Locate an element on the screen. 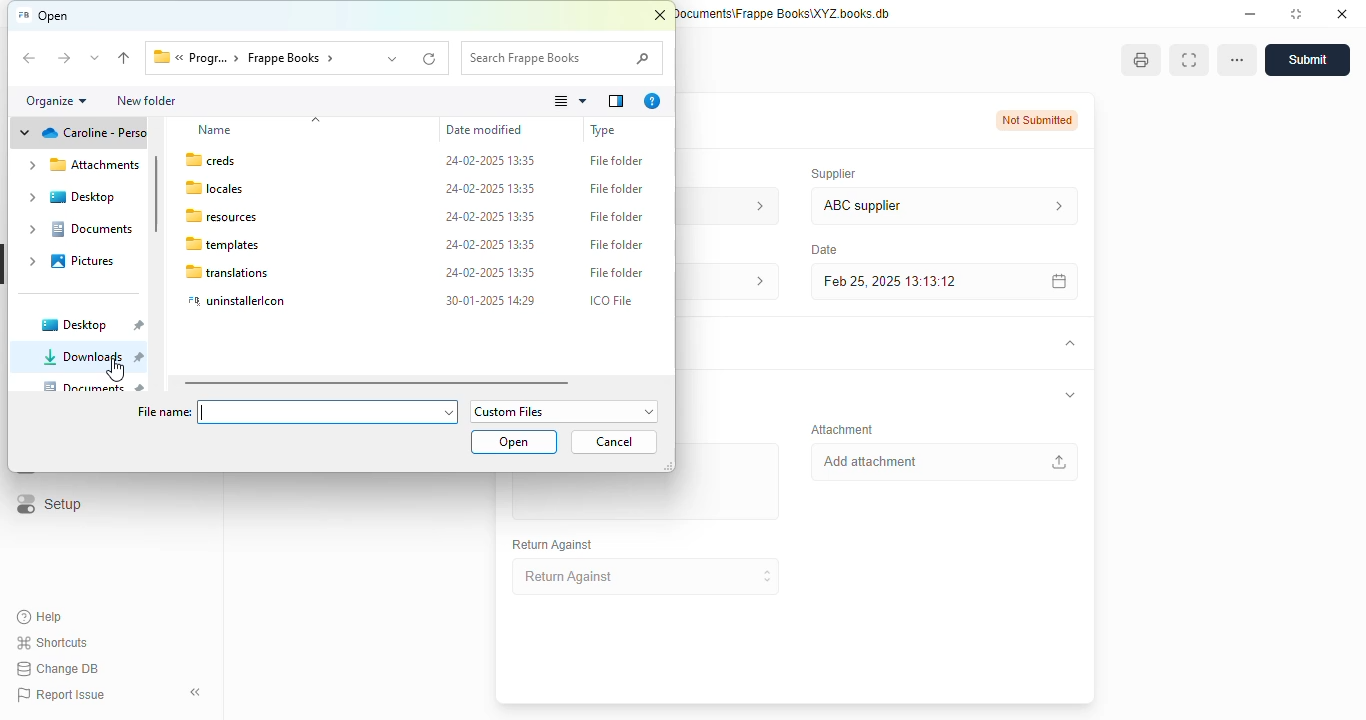 This screenshot has height=720, width=1366. shortcuts is located at coordinates (53, 642).